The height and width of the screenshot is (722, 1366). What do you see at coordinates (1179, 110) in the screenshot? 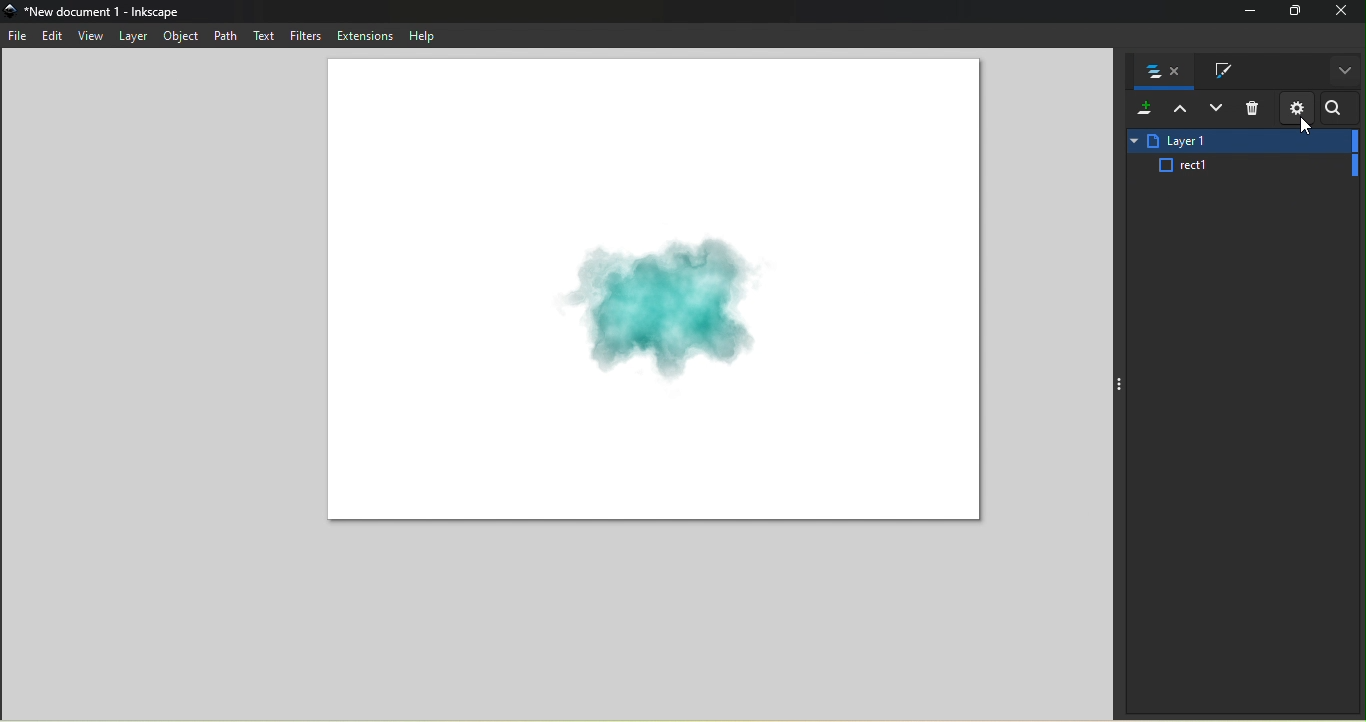
I see `Raise selection one step` at bounding box center [1179, 110].